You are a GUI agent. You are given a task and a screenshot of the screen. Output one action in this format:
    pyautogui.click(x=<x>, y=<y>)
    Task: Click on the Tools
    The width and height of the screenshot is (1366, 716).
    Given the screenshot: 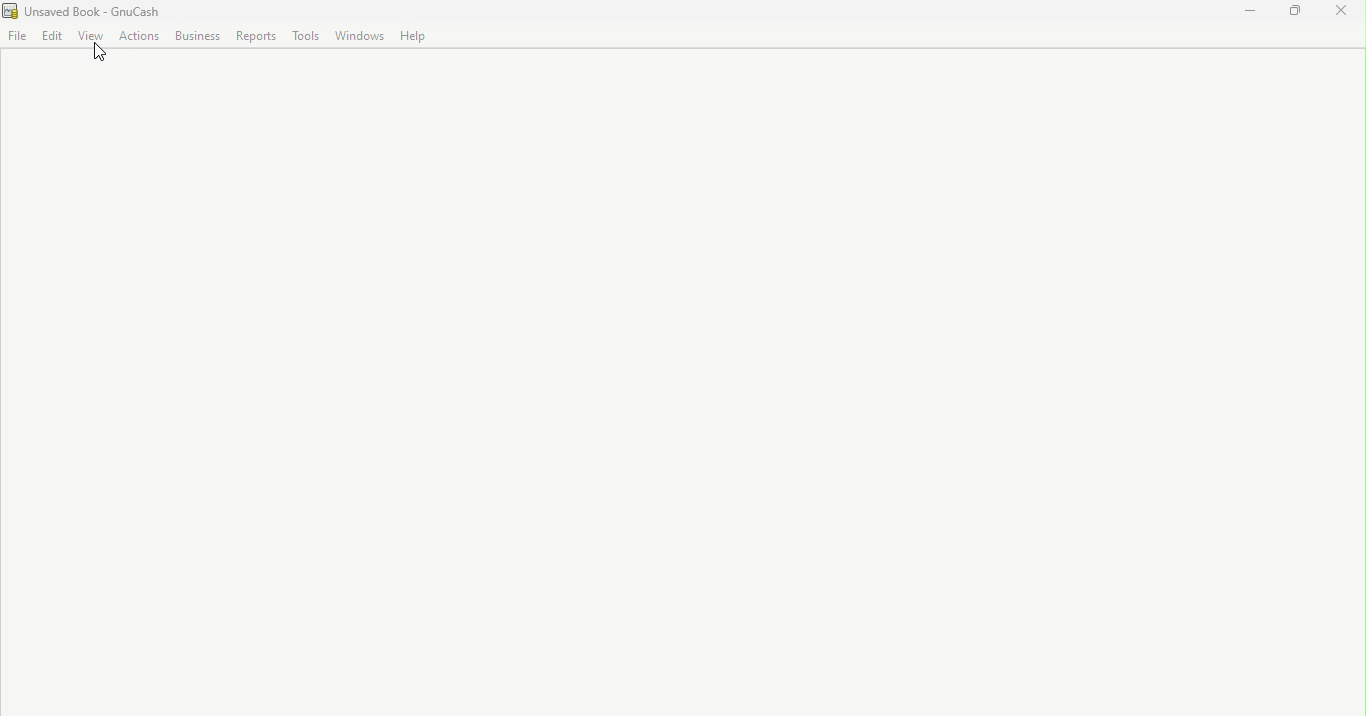 What is the action you would take?
    pyautogui.click(x=310, y=37)
    